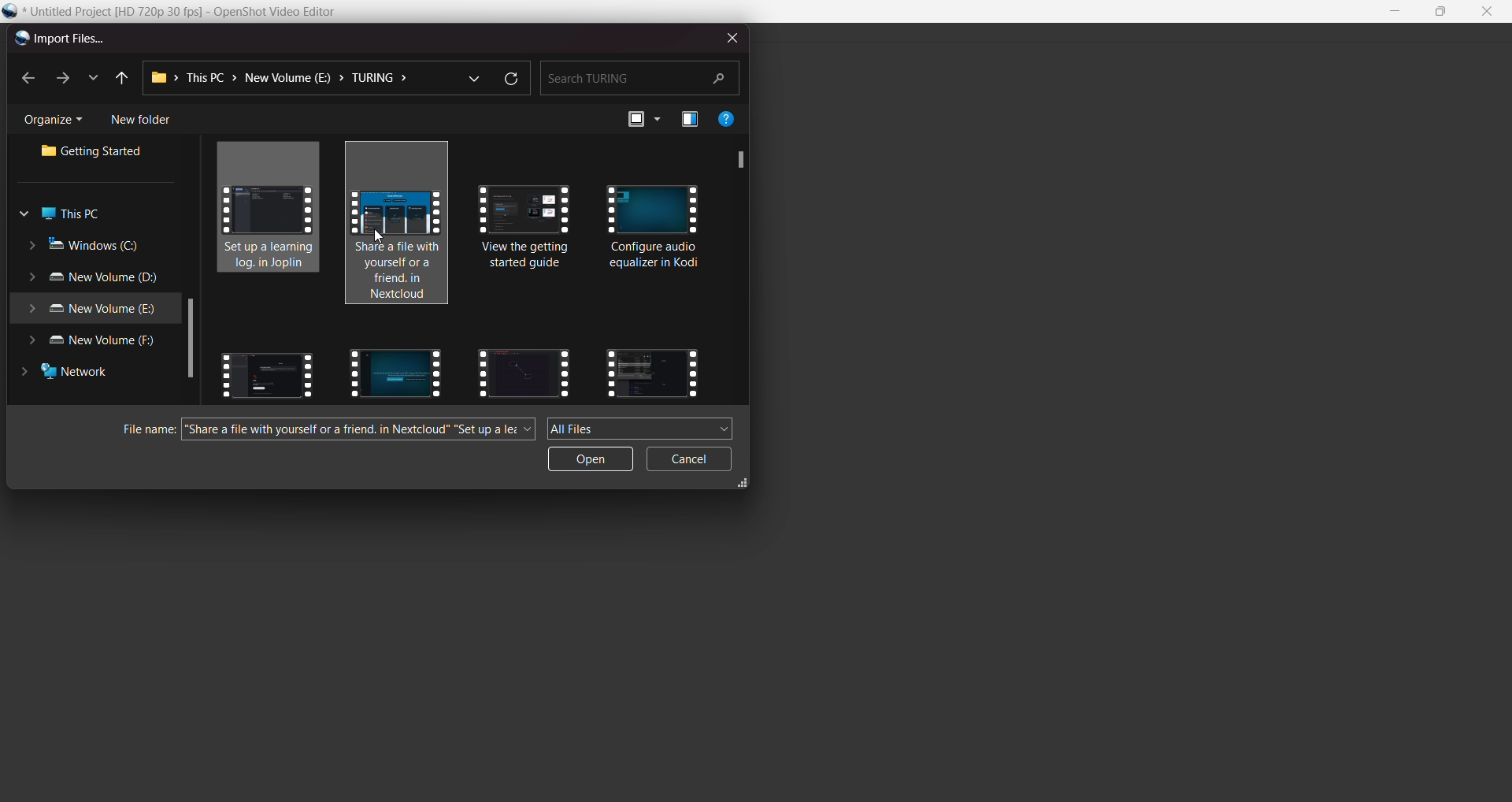 This screenshot has height=802, width=1512. I want to click on organize, so click(57, 121).